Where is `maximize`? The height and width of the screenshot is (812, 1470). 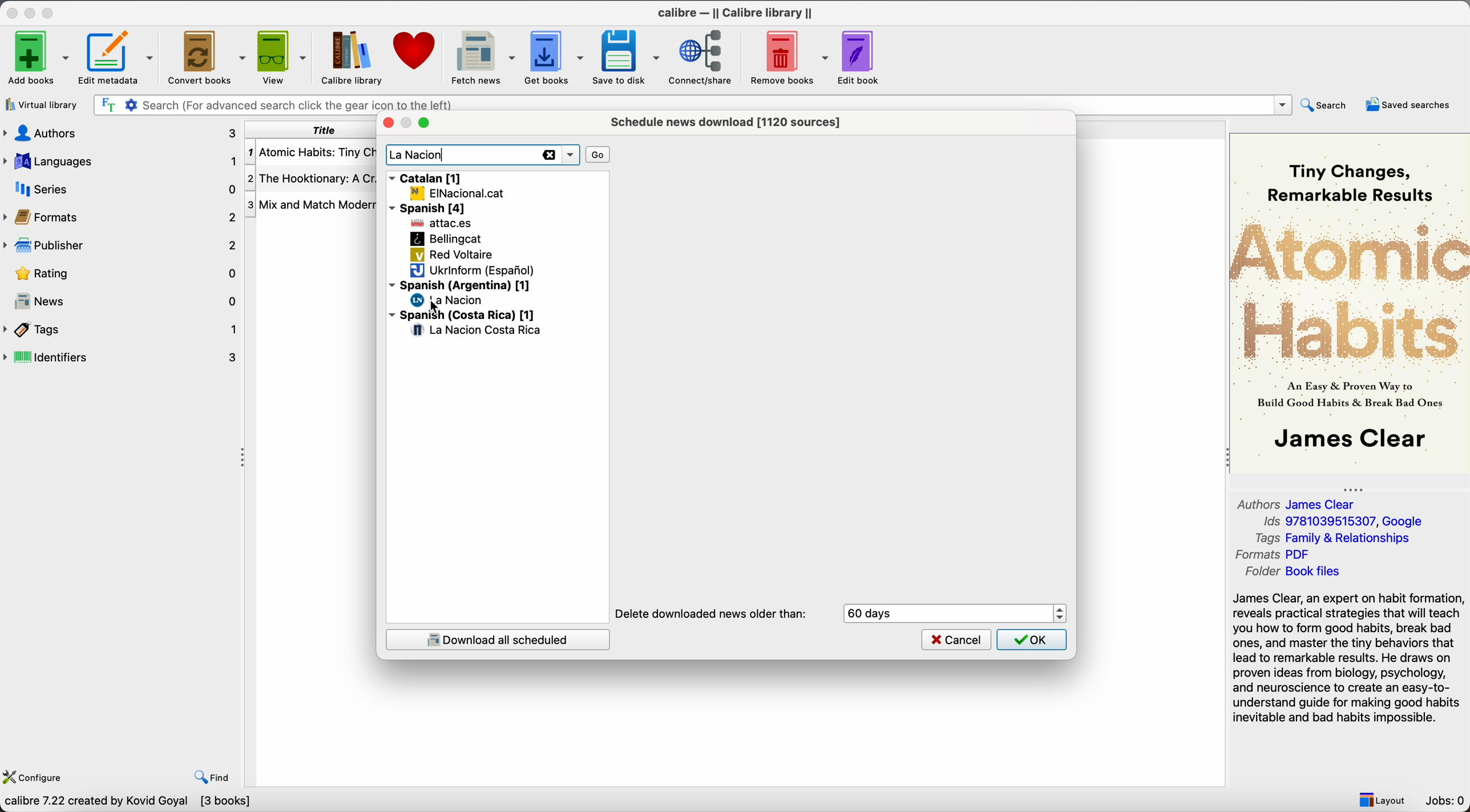 maximize is located at coordinates (49, 11).